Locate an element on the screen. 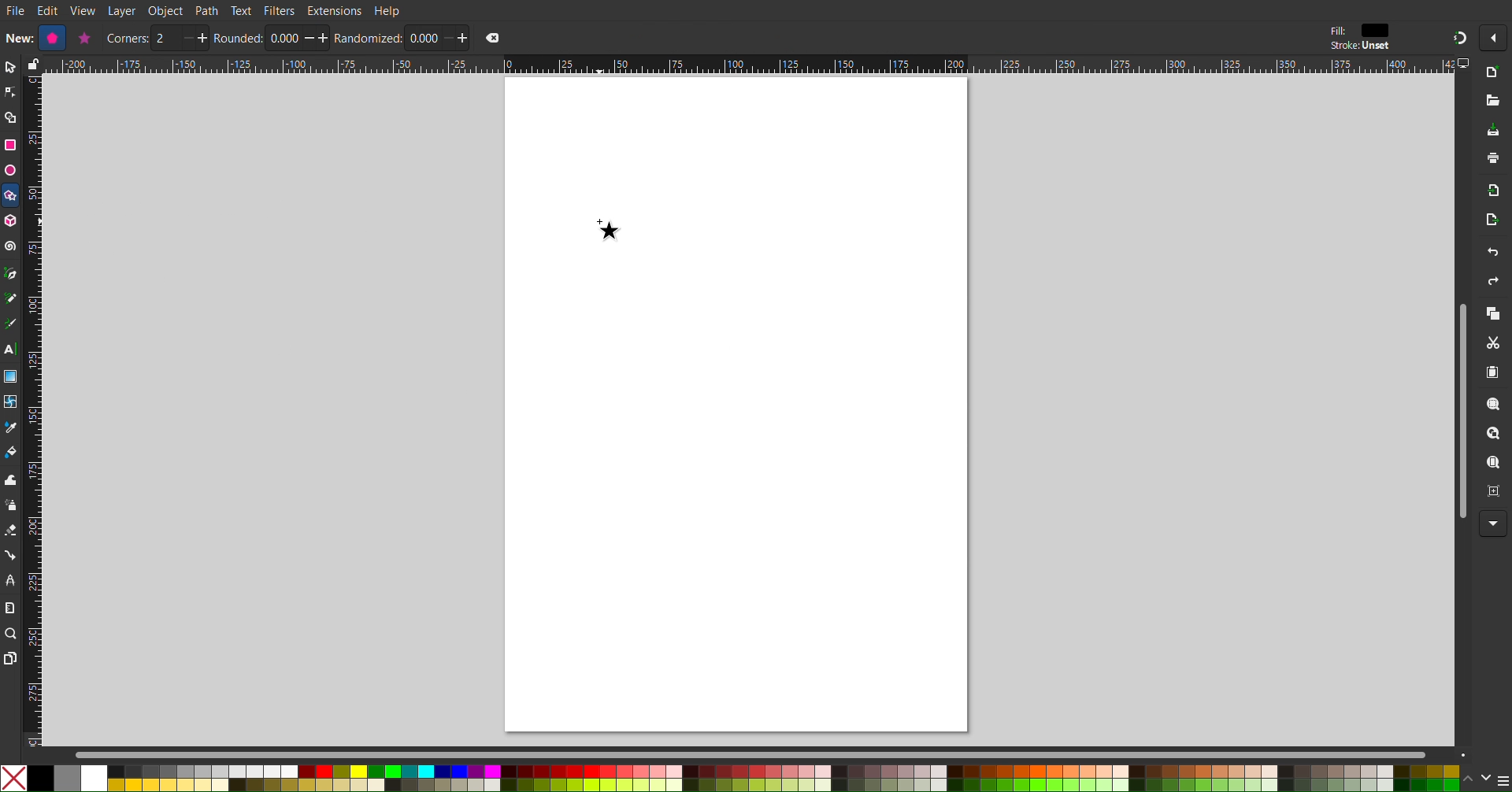 This screenshot has height=792, width=1512. Path is located at coordinates (207, 10).